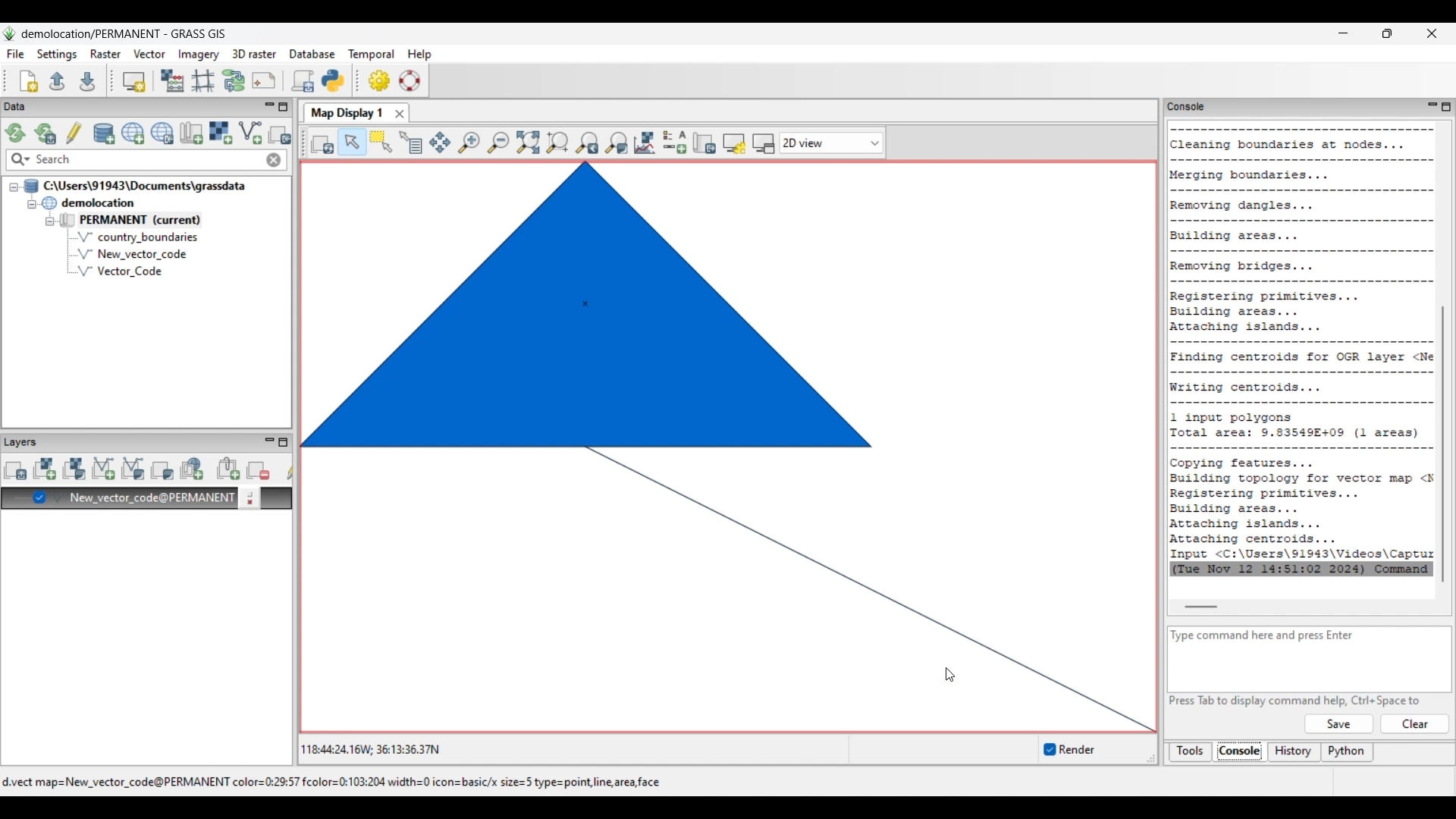  What do you see at coordinates (410, 143) in the screenshot?
I see `Query raster/vector map(s)` at bounding box center [410, 143].